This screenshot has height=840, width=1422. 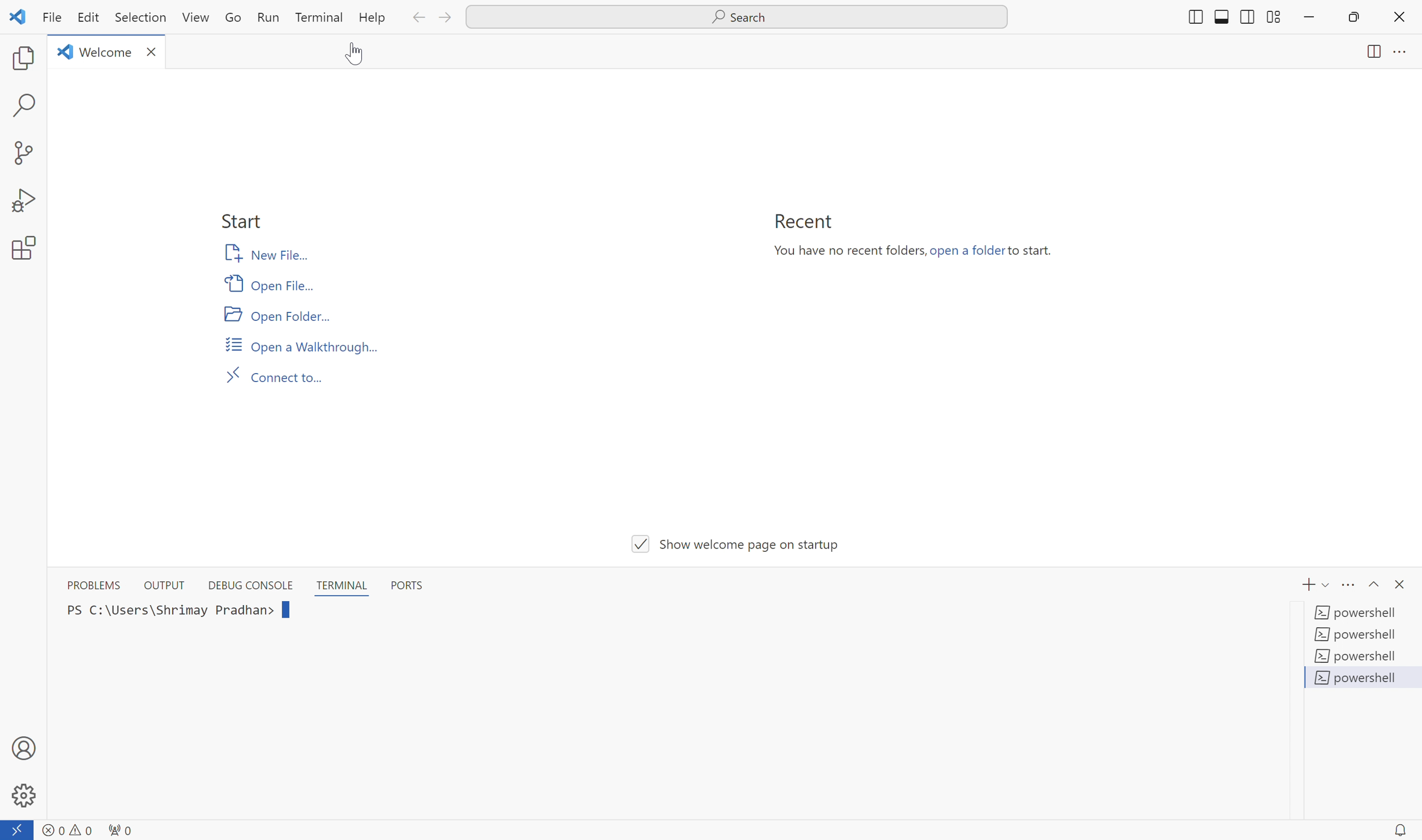 I want to click on network, so click(x=122, y=828).